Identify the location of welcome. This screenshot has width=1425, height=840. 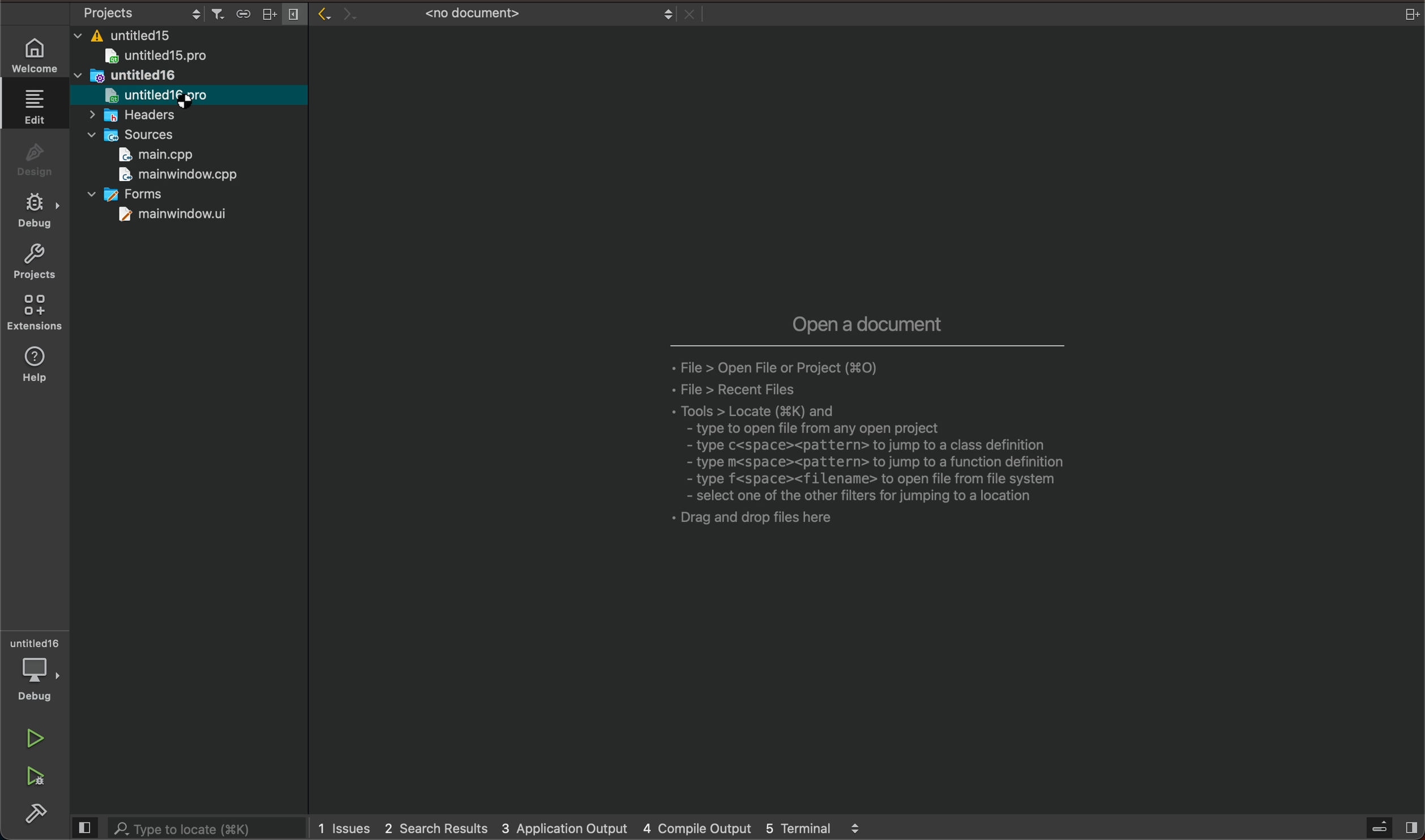
(38, 53).